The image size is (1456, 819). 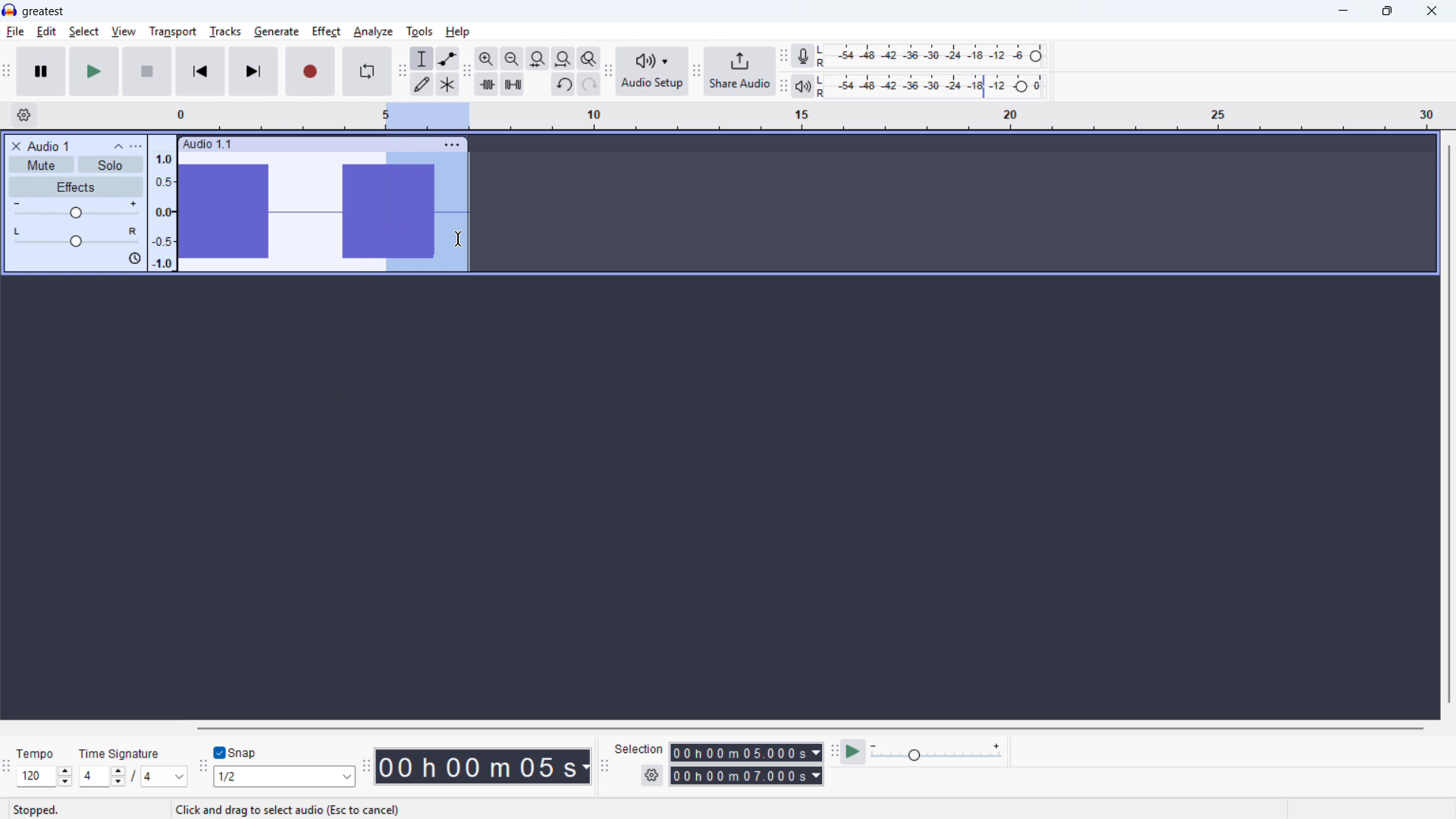 What do you see at coordinates (136, 146) in the screenshot?
I see `Track control panel menu ` at bounding box center [136, 146].